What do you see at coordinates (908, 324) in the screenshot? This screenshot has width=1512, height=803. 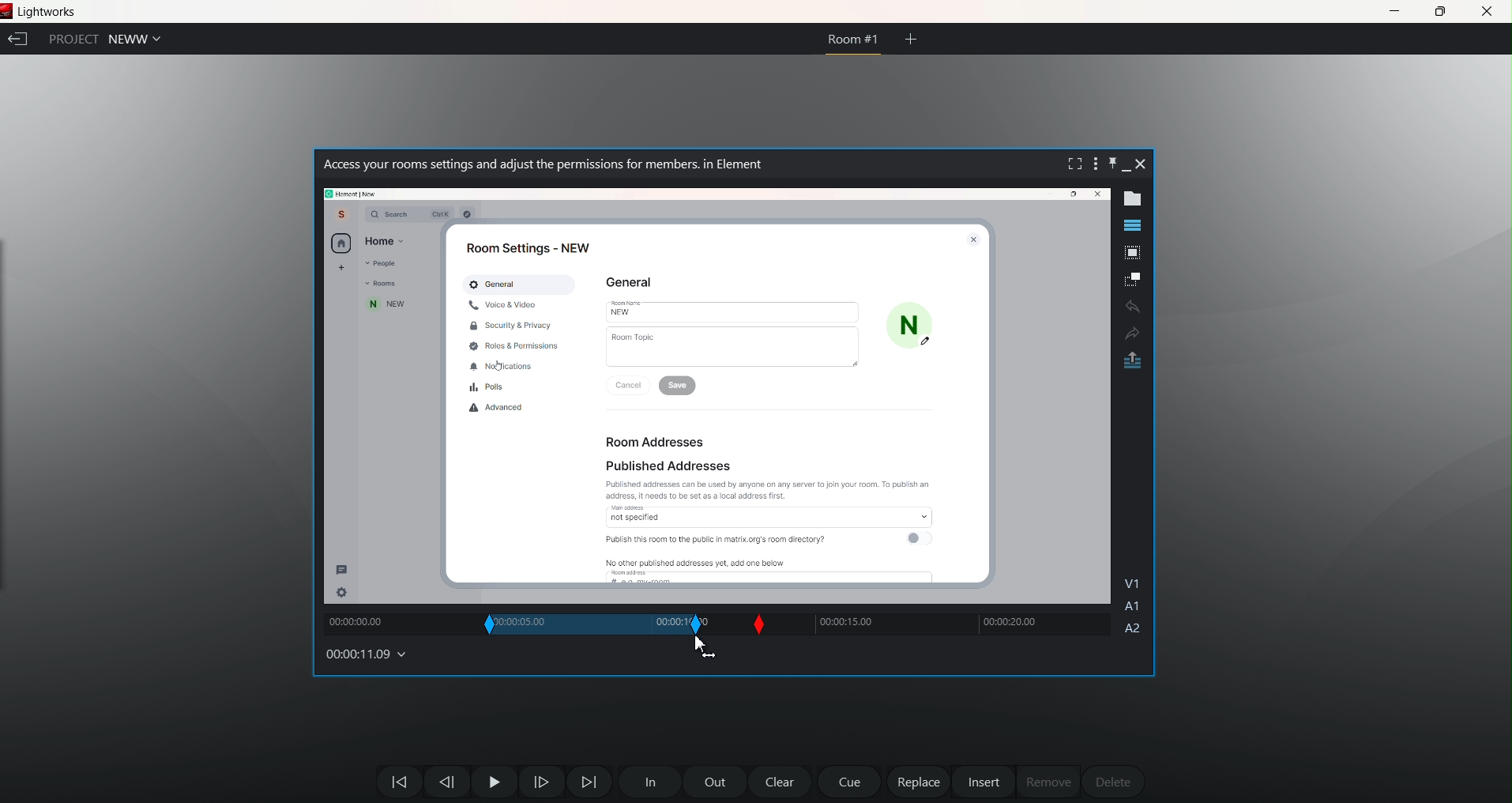 I see `N` at bounding box center [908, 324].